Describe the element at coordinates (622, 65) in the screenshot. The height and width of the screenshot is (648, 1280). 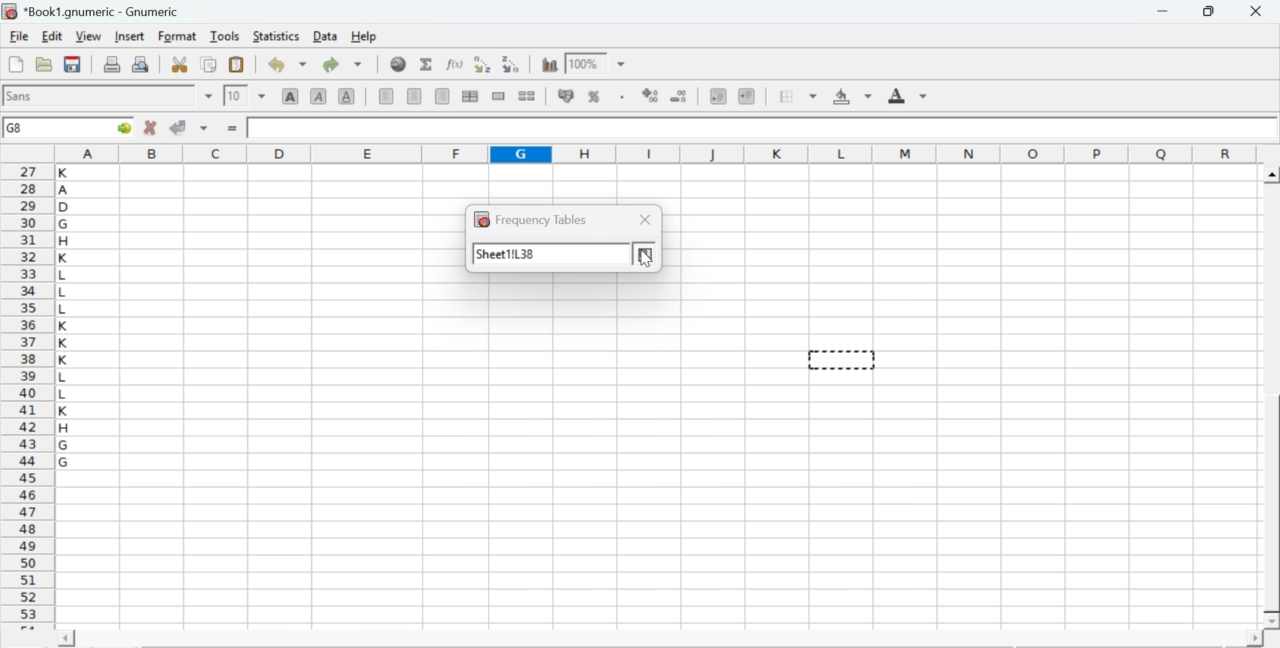
I see `drop down` at that location.